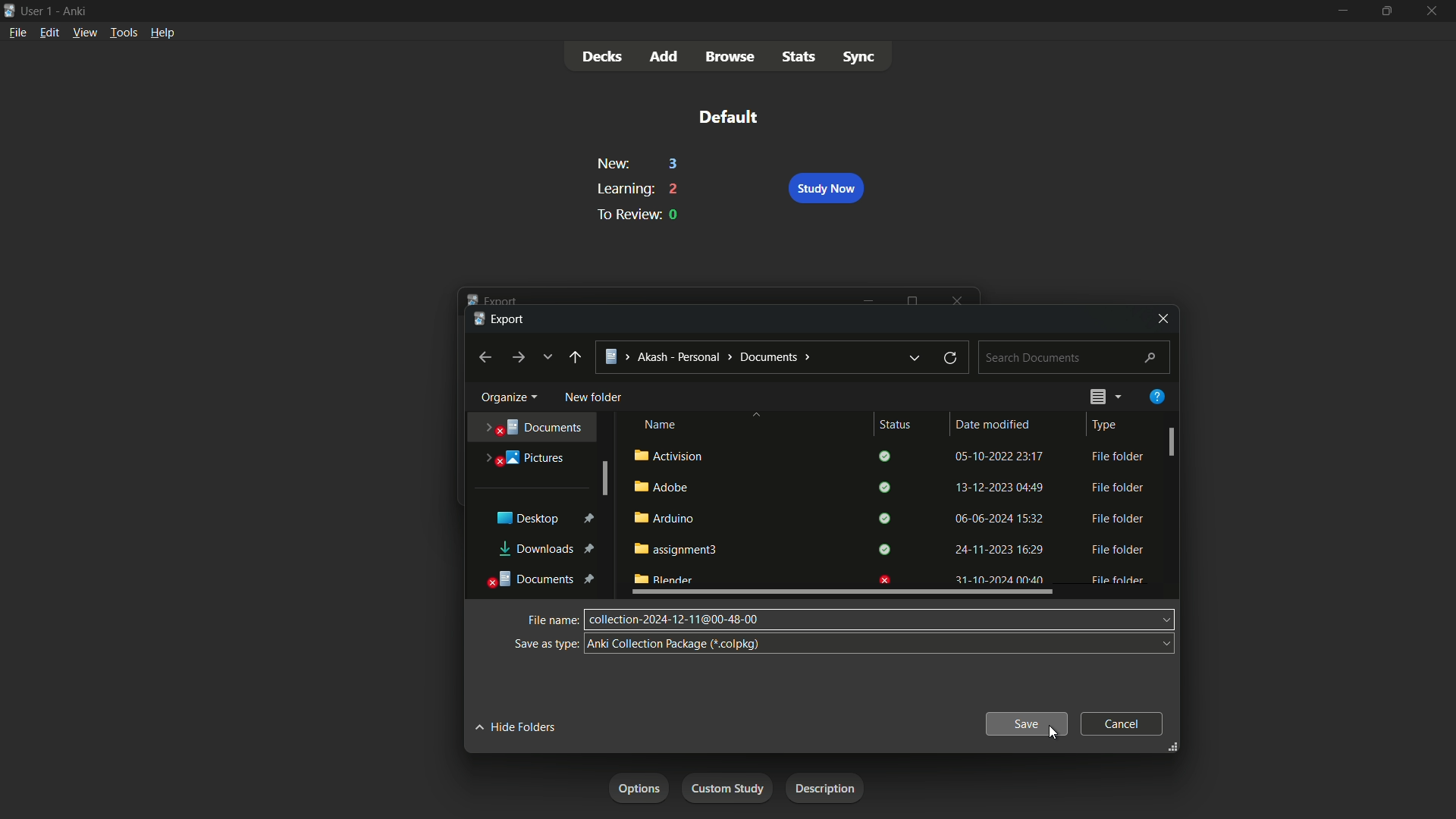 This screenshot has height=819, width=1456. Describe the element at coordinates (623, 189) in the screenshot. I see `learning` at that location.